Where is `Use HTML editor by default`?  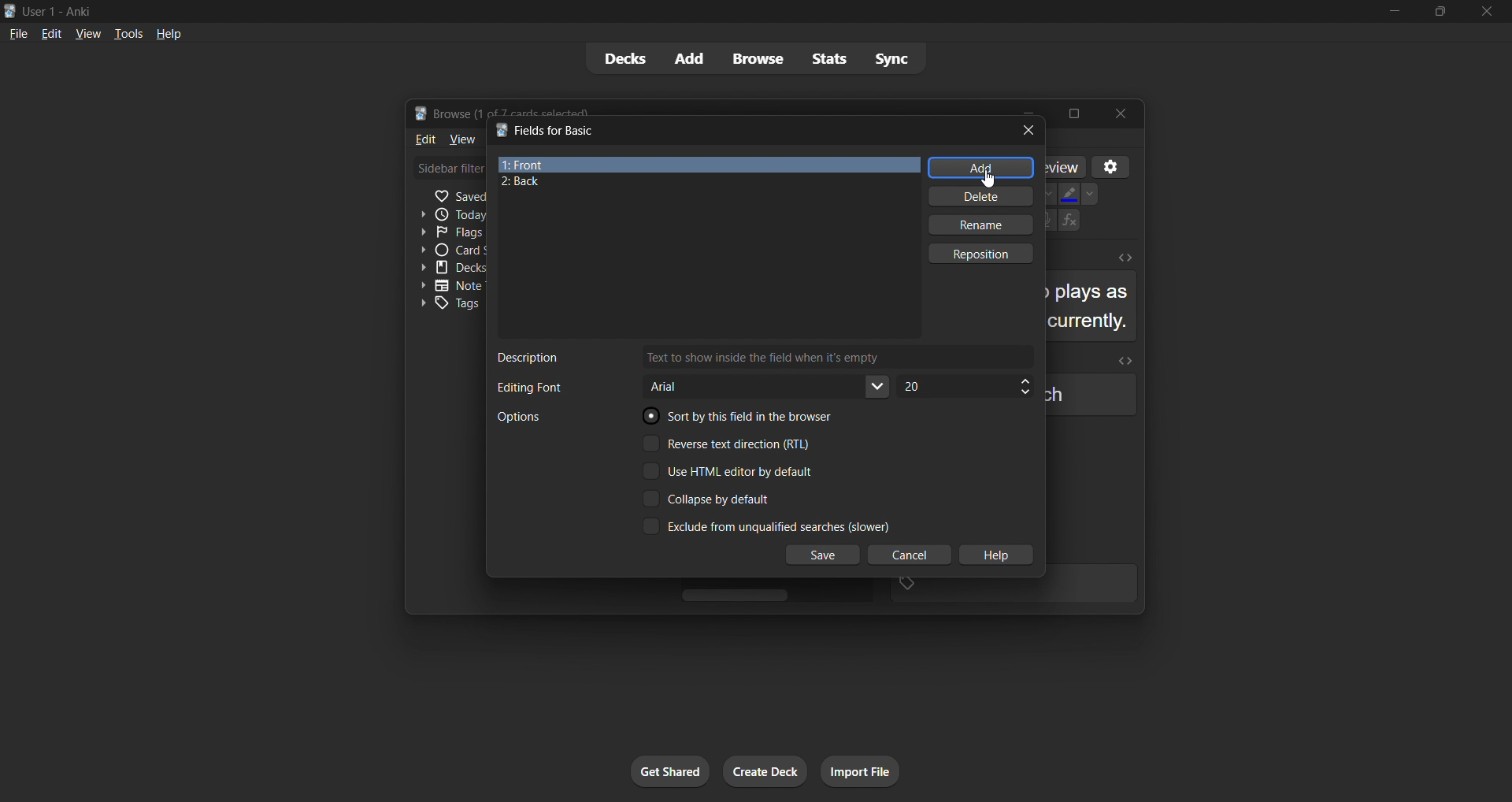 Use HTML editor by default is located at coordinates (738, 471).